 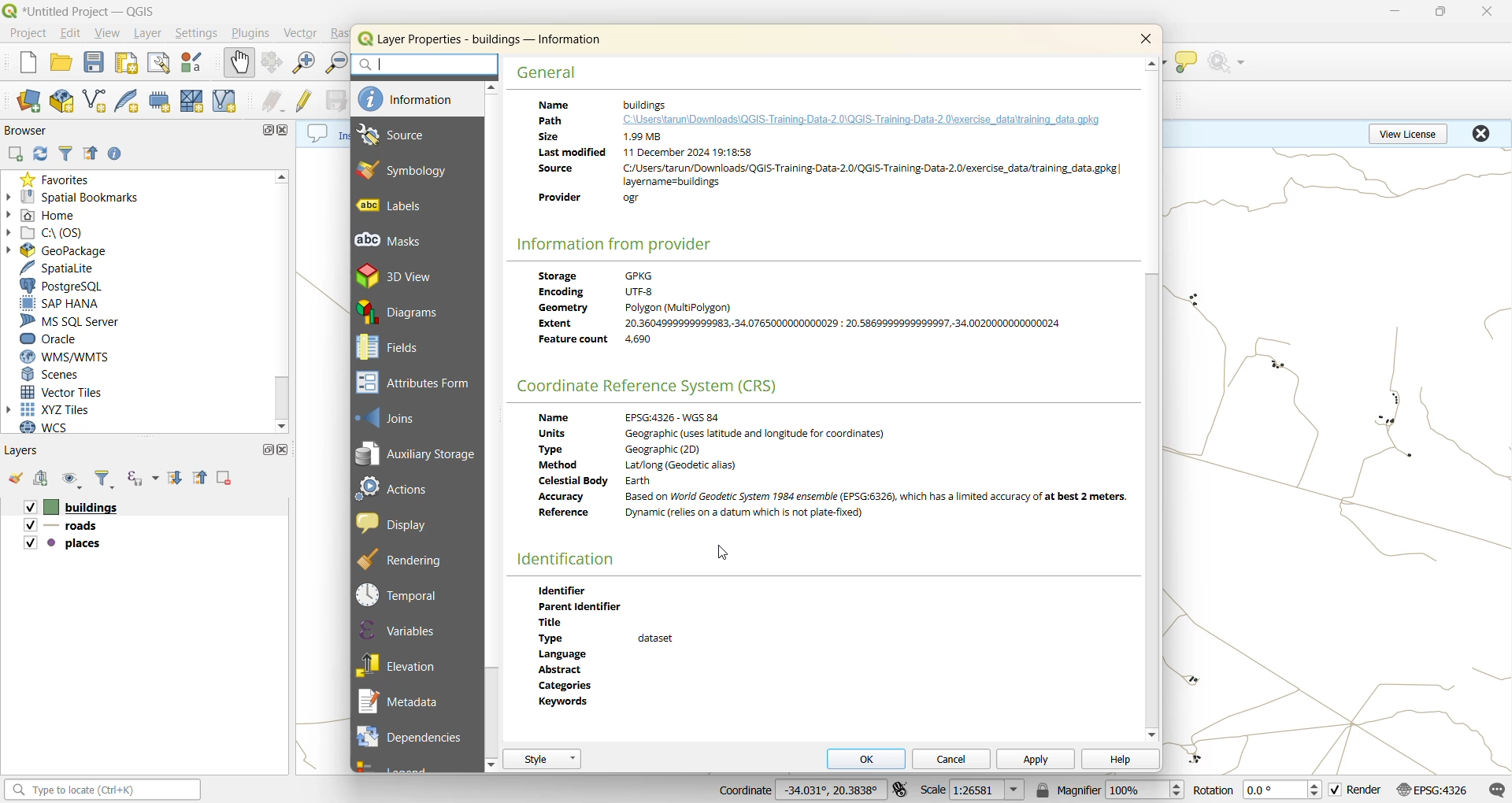 I want to click on open, so click(x=13, y=479).